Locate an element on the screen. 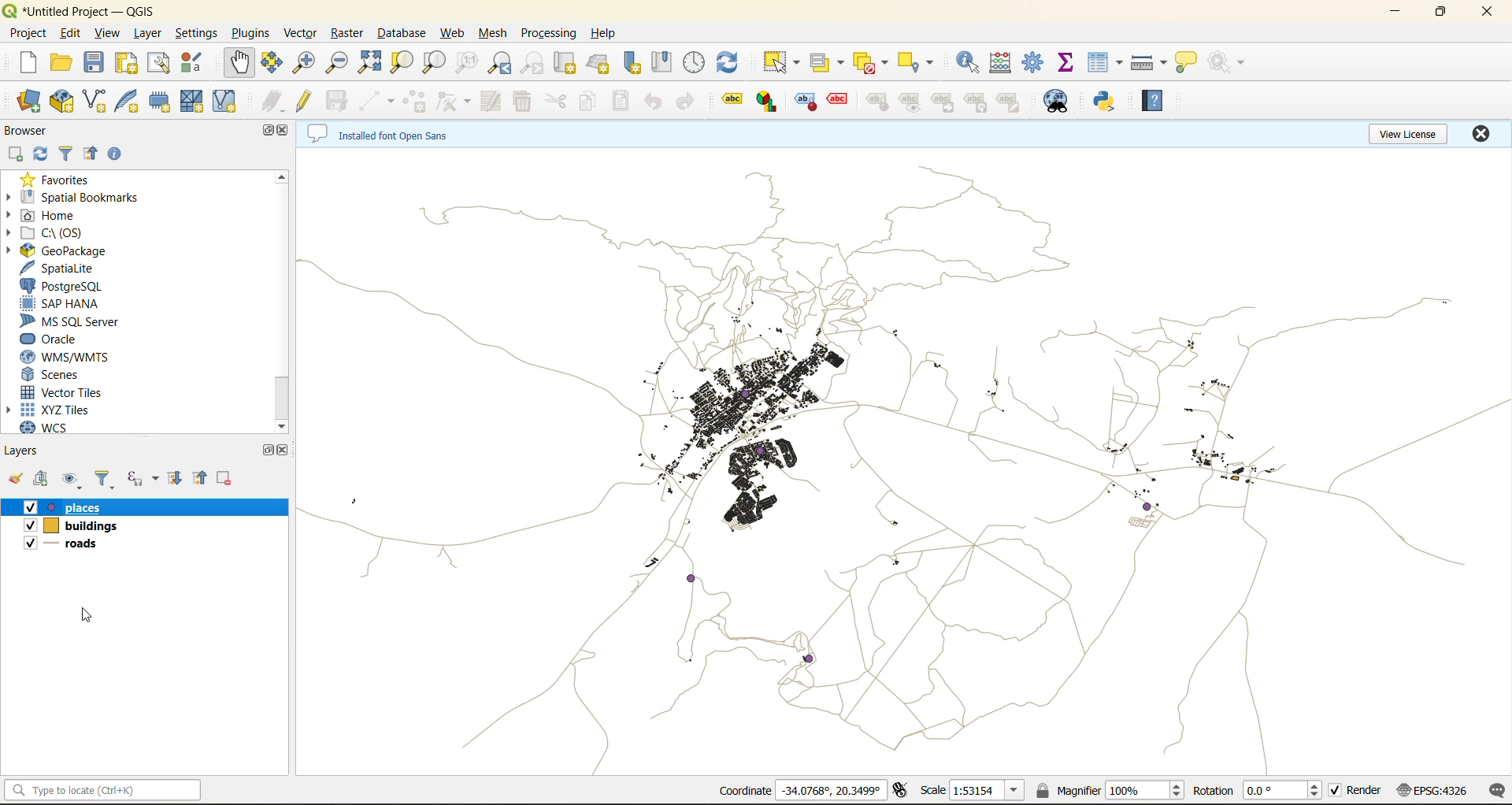 This screenshot has height=805, width=1512. view is located at coordinates (108, 35).